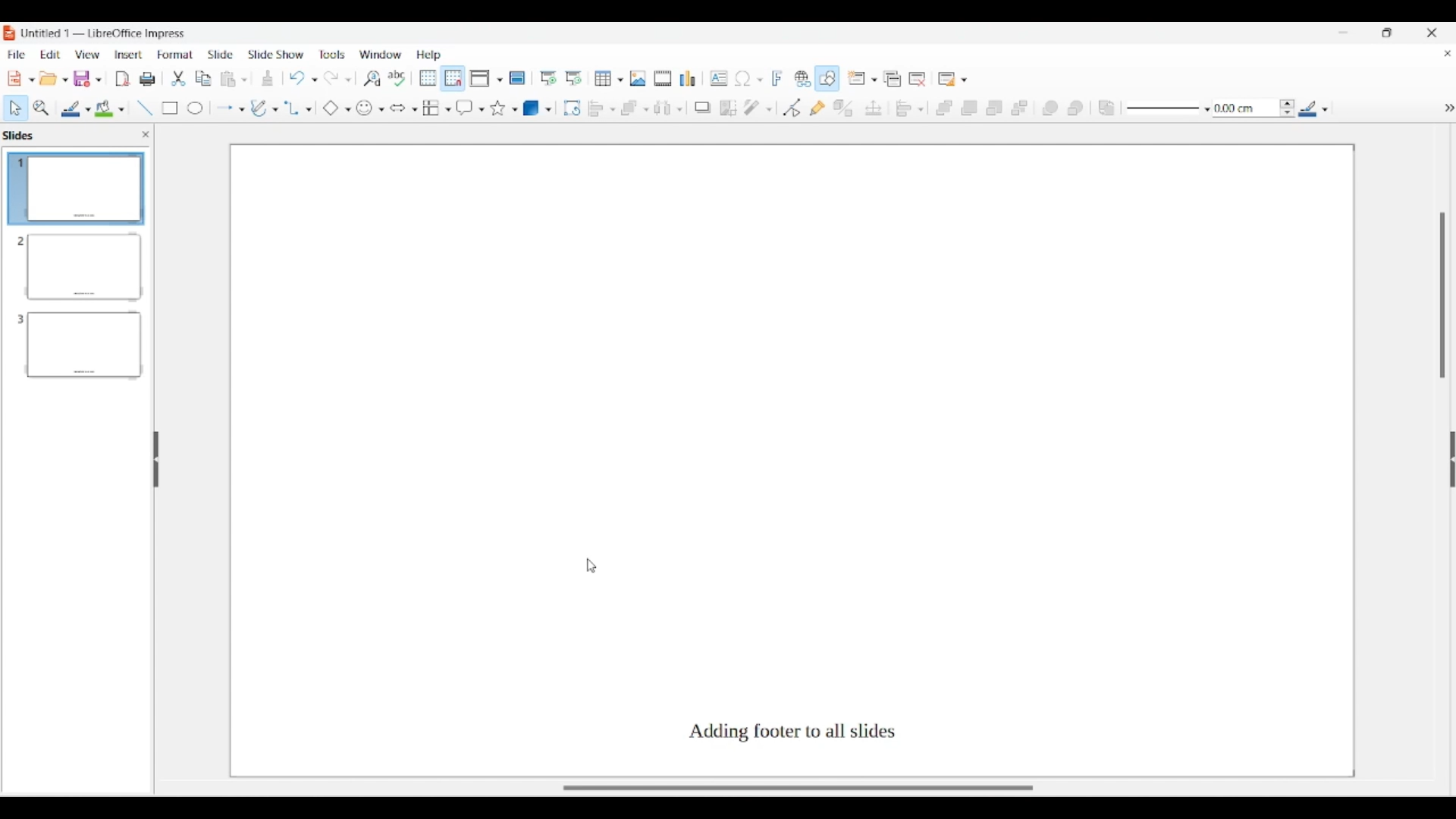  I want to click on Symbol shape options, so click(371, 108).